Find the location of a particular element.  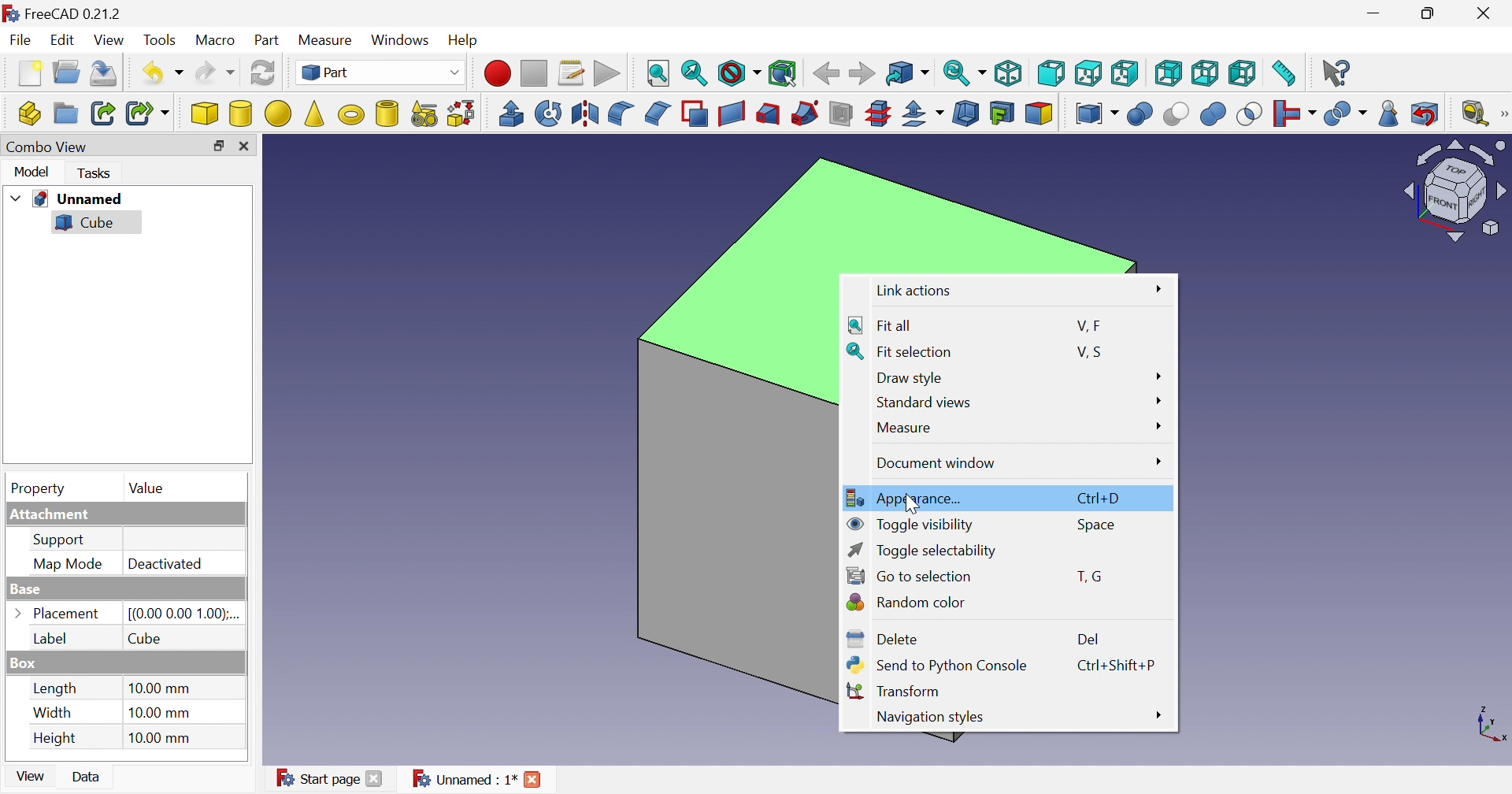

Got to linked object is located at coordinates (908, 72).